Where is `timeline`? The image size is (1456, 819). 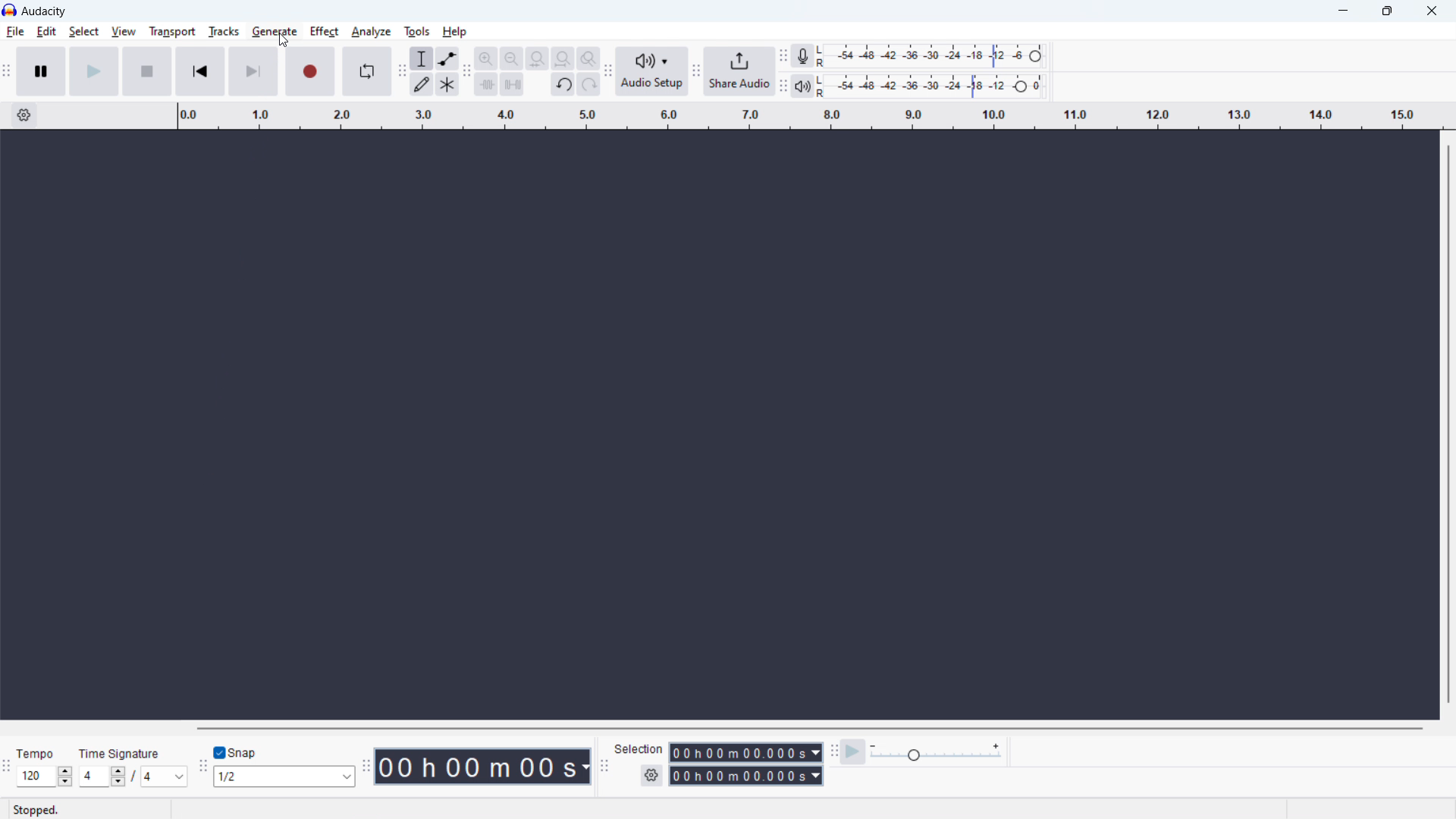
timeline is located at coordinates (808, 117).